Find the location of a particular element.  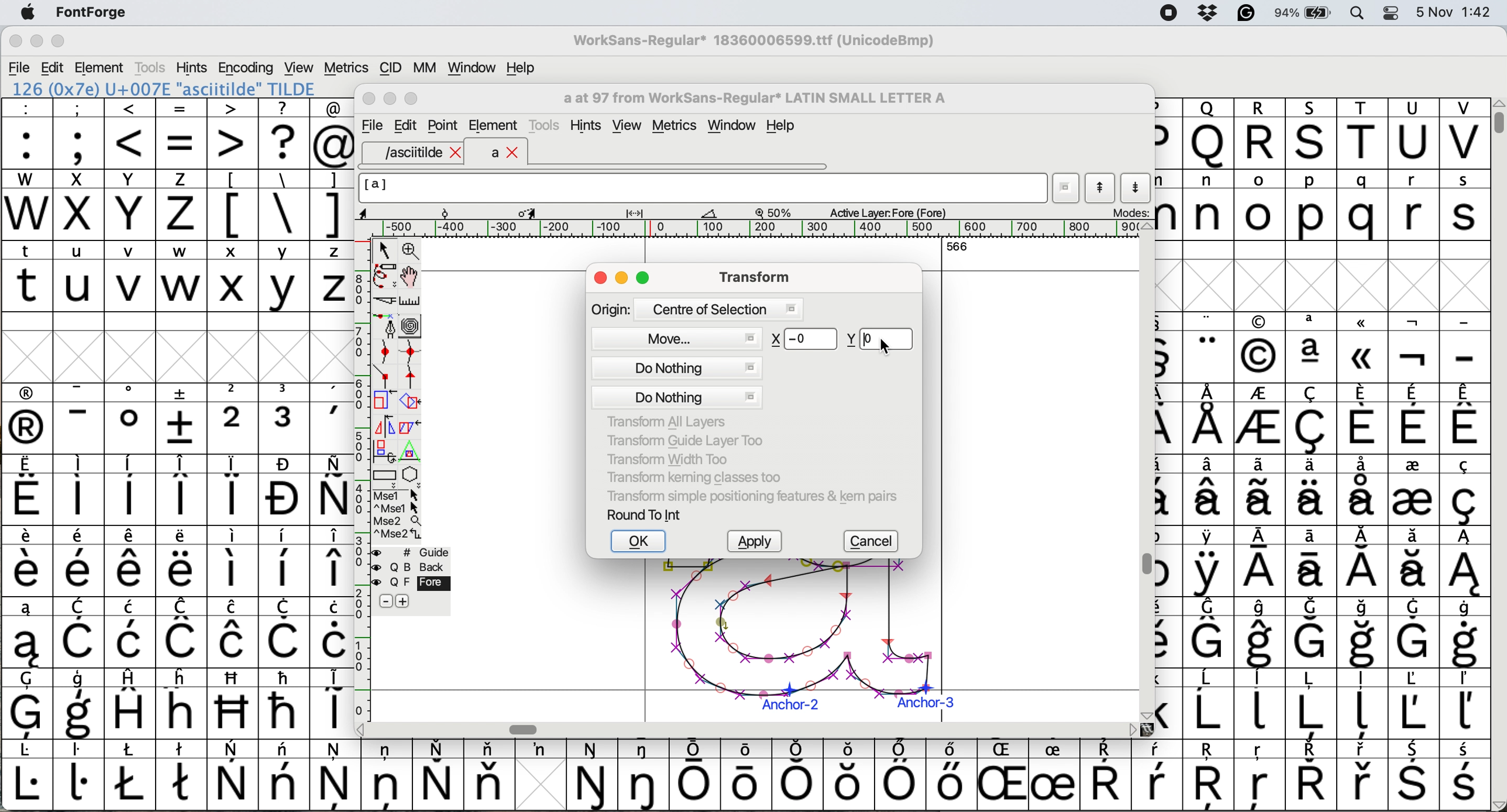

 is located at coordinates (183, 703).